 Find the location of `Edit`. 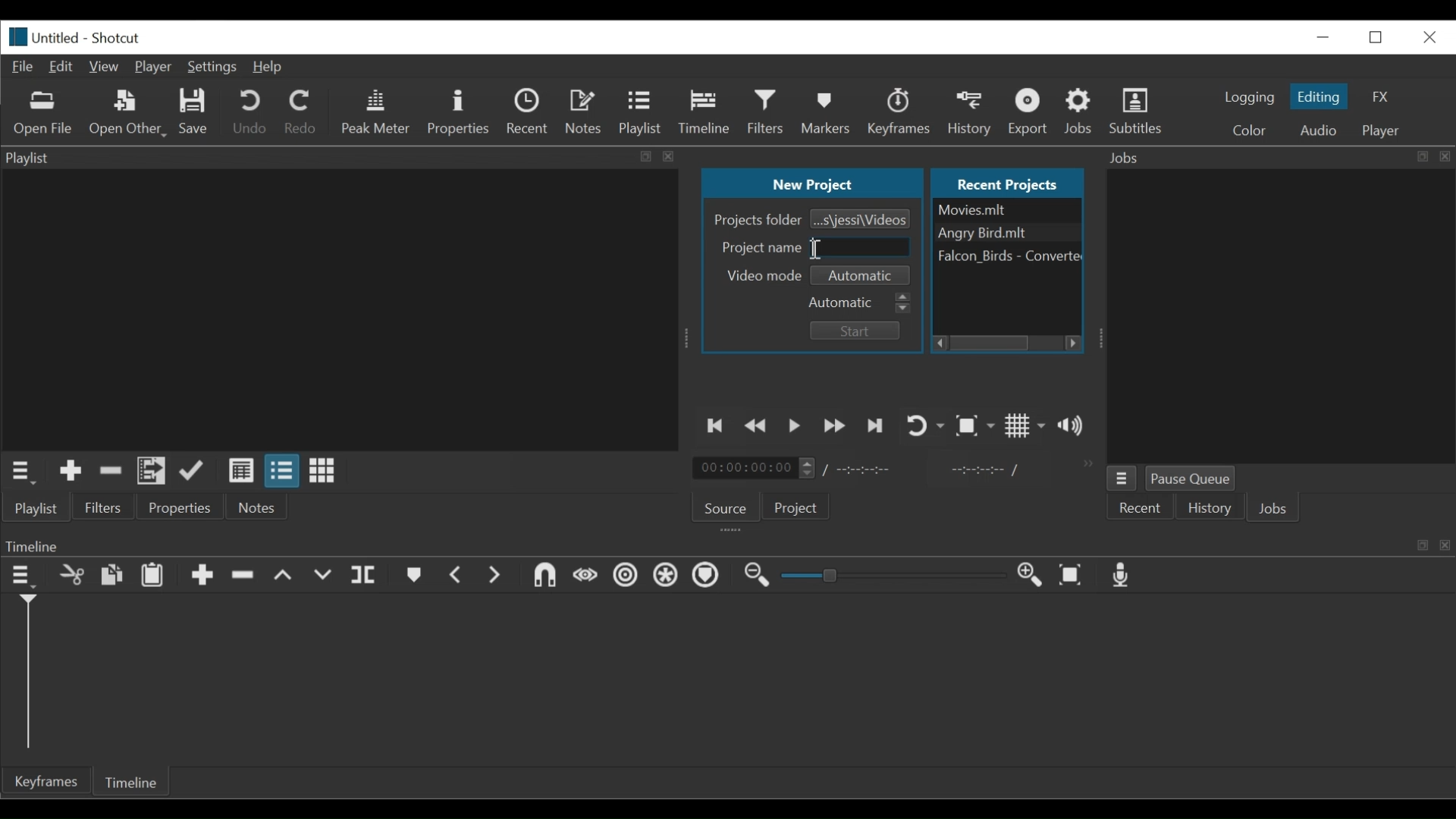

Edit is located at coordinates (62, 69).